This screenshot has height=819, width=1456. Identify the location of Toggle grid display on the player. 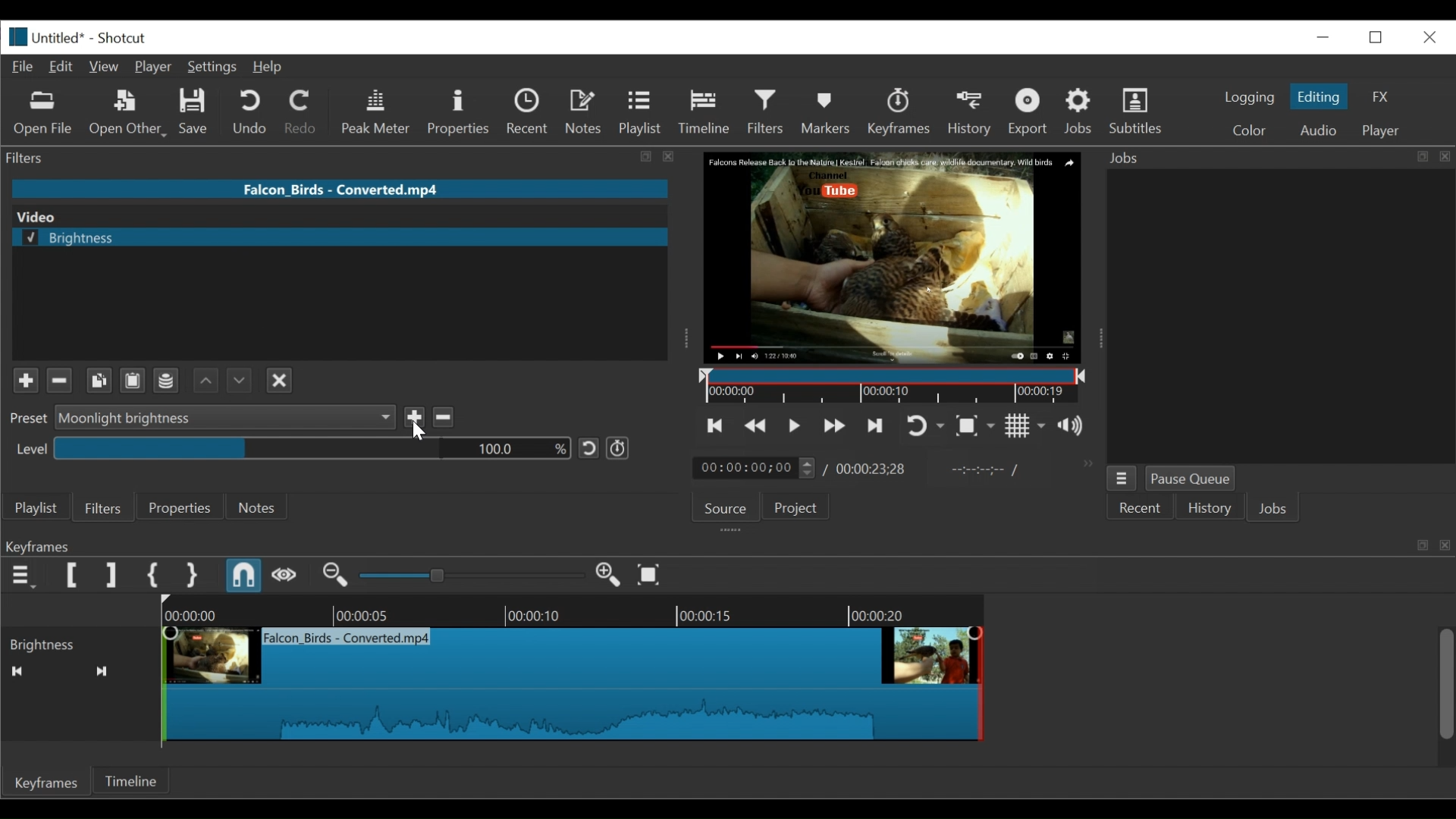
(1026, 426).